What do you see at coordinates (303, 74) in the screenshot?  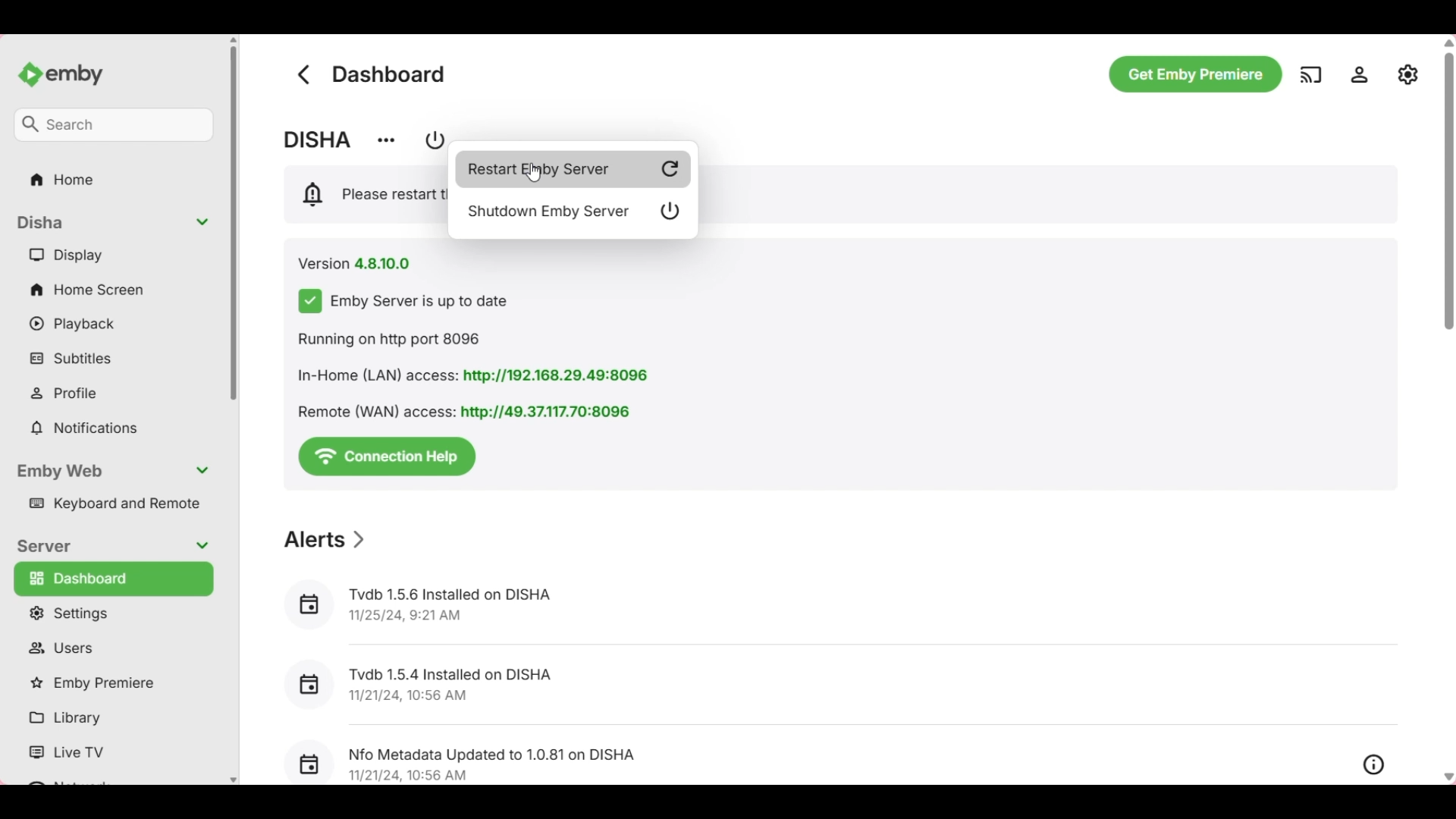 I see `Go back` at bounding box center [303, 74].